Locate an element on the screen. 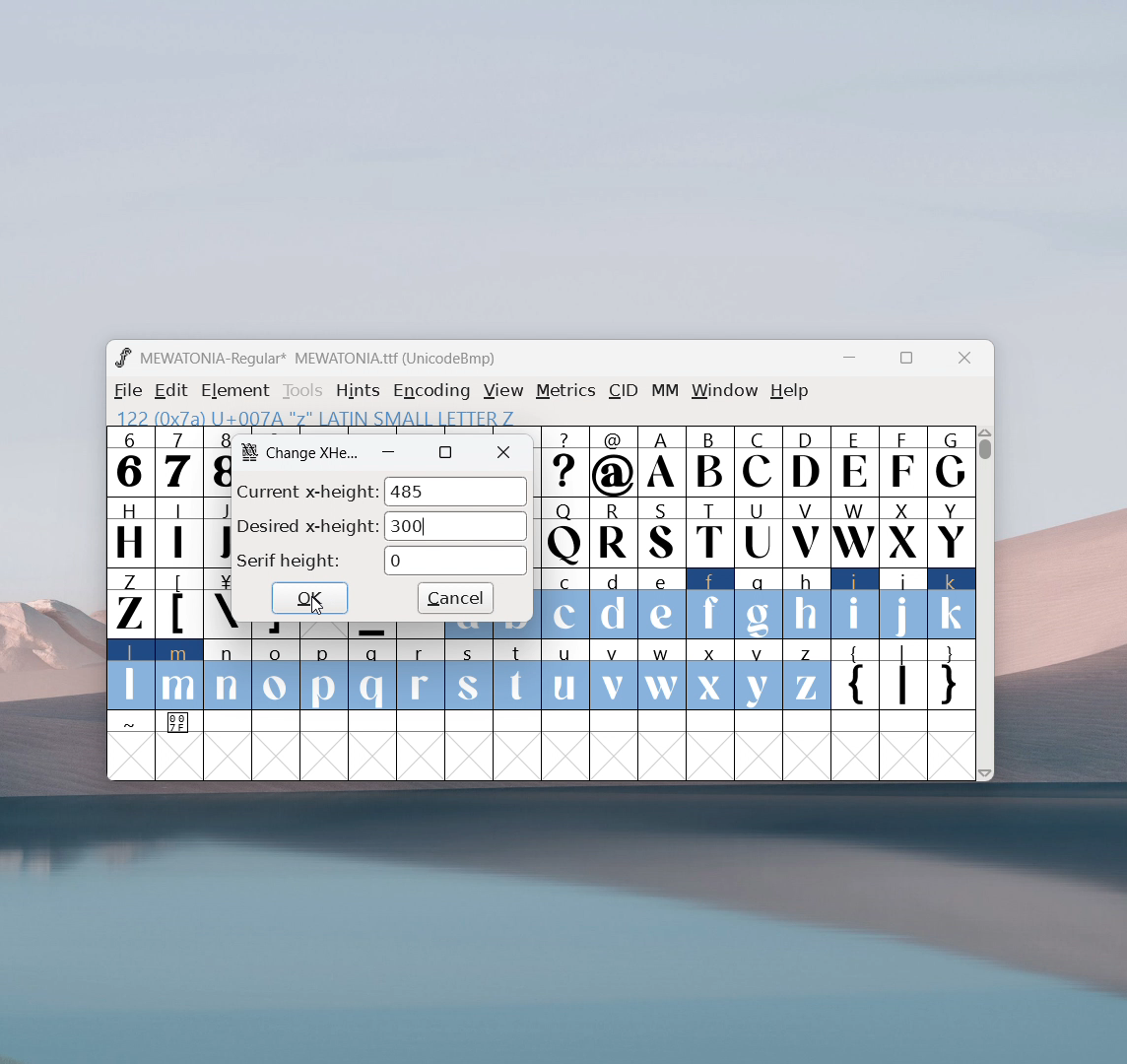 The height and width of the screenshot is (1064, 1127). maximize is located at coordinates (445, 452).